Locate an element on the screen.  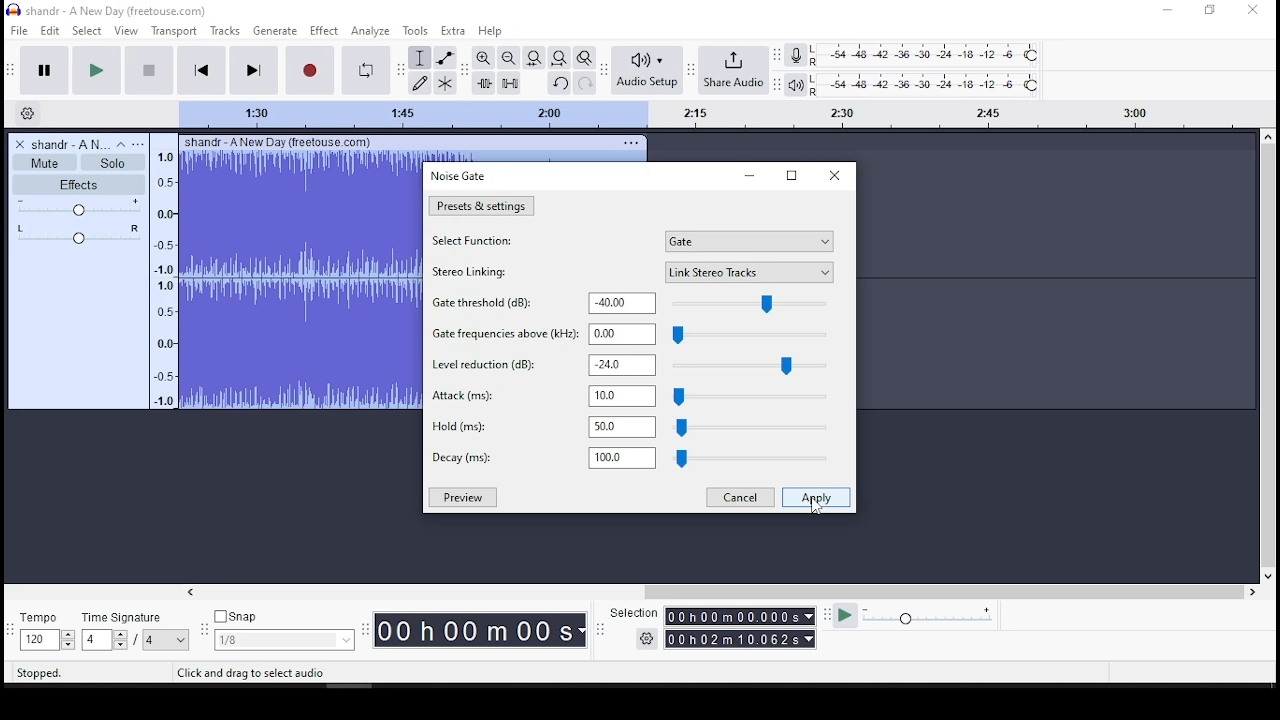
enable looping is located at coordinates (367, 70).